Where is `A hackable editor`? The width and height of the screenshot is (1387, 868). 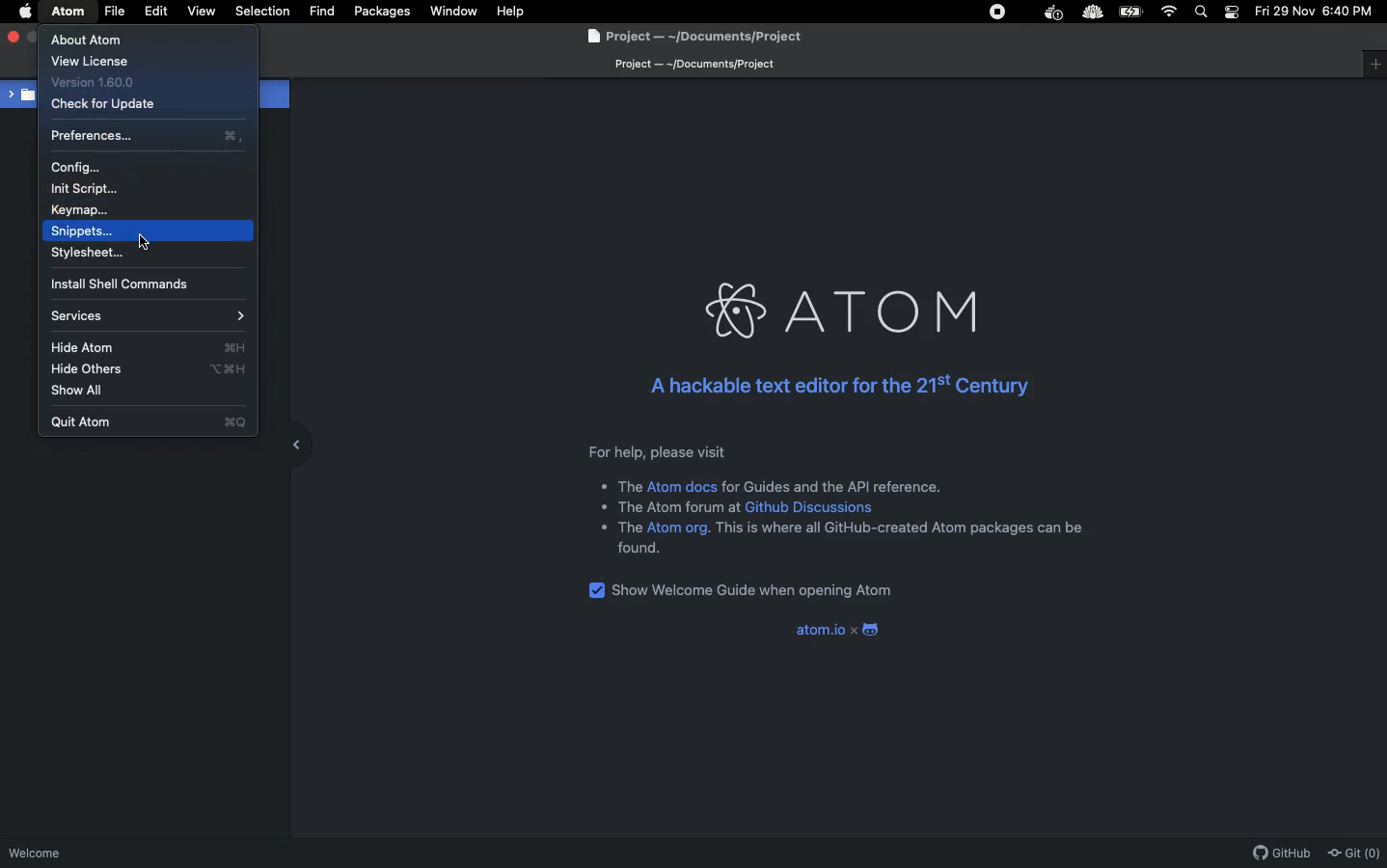
A hackable editor is located at coordinates (835, 387).